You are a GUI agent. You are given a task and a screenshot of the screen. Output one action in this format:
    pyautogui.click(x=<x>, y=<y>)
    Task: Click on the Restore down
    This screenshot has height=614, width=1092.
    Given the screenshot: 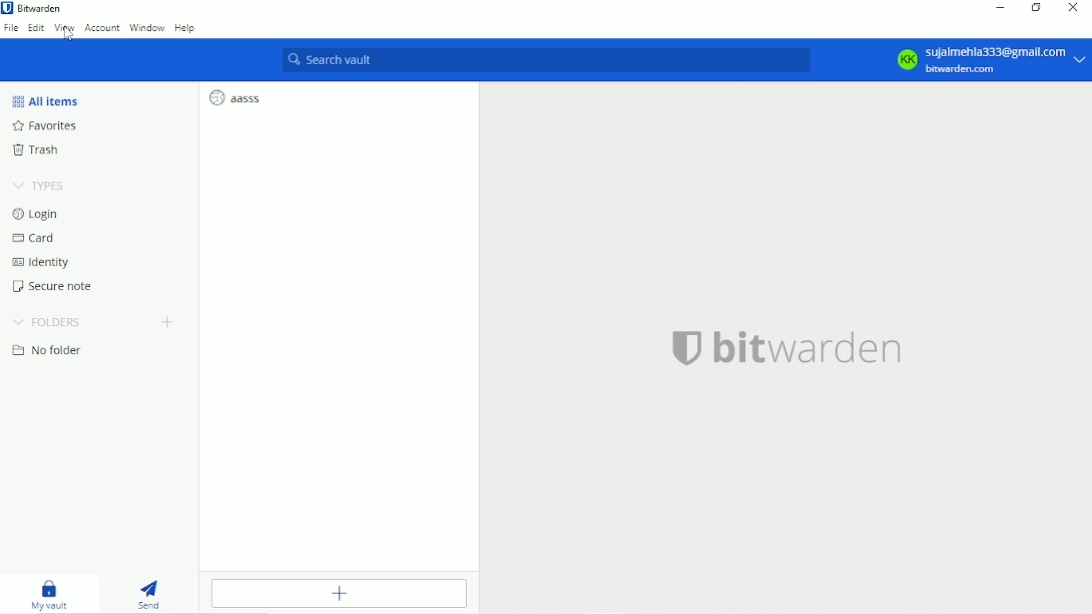 What is the action you would take?
    pyautogui.click(x=1036, y=9)
    